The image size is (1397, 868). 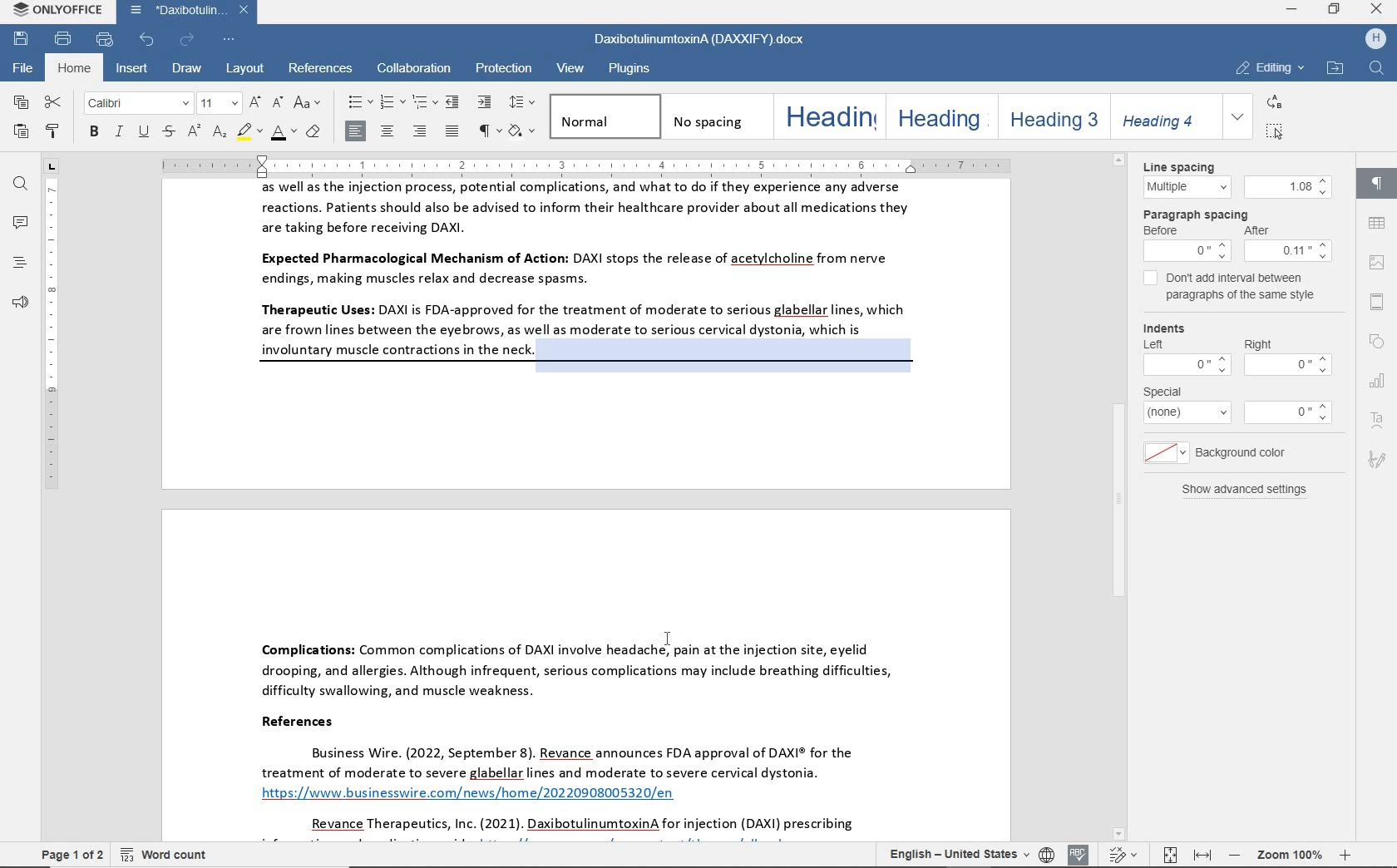 What do you see at coordinates (641, 164) in the screenshot?
I see `ruler` at bounding box center [641, 164].